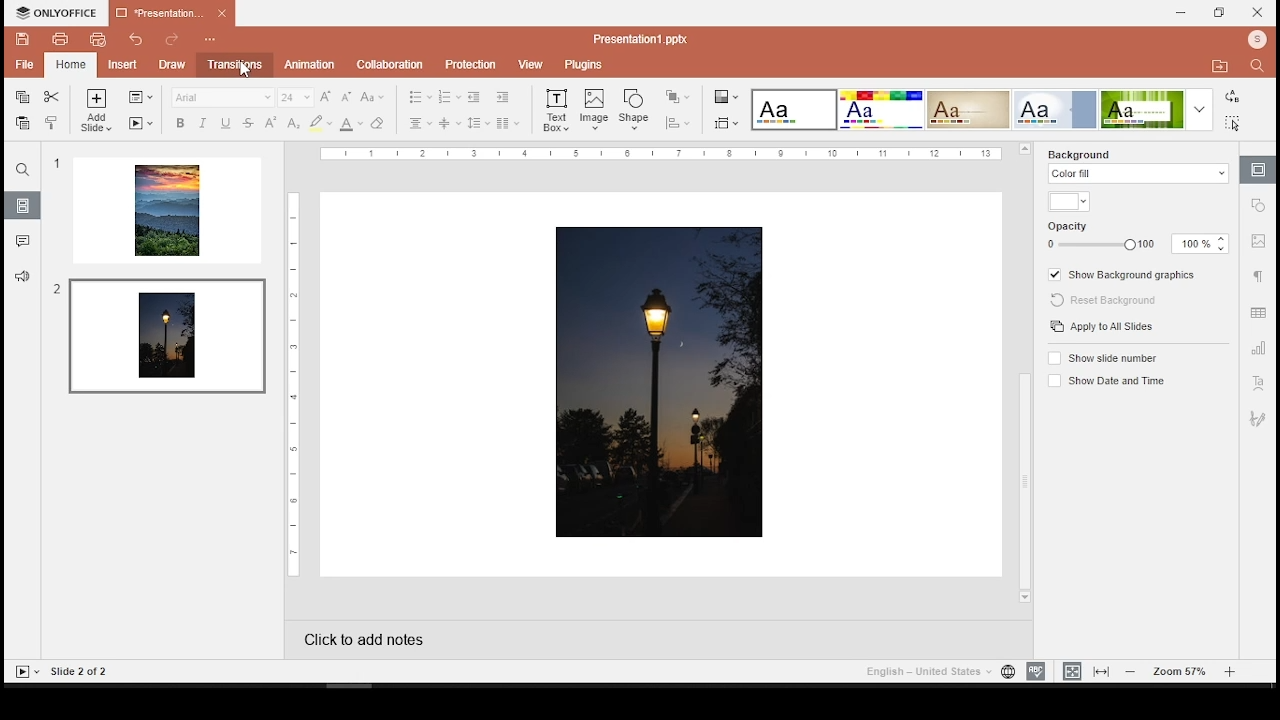 The height and width of the screenshot is (720, 1280). Describe the element at coordinates (173, 14) in the screenshot. I see `presentation` at that location.